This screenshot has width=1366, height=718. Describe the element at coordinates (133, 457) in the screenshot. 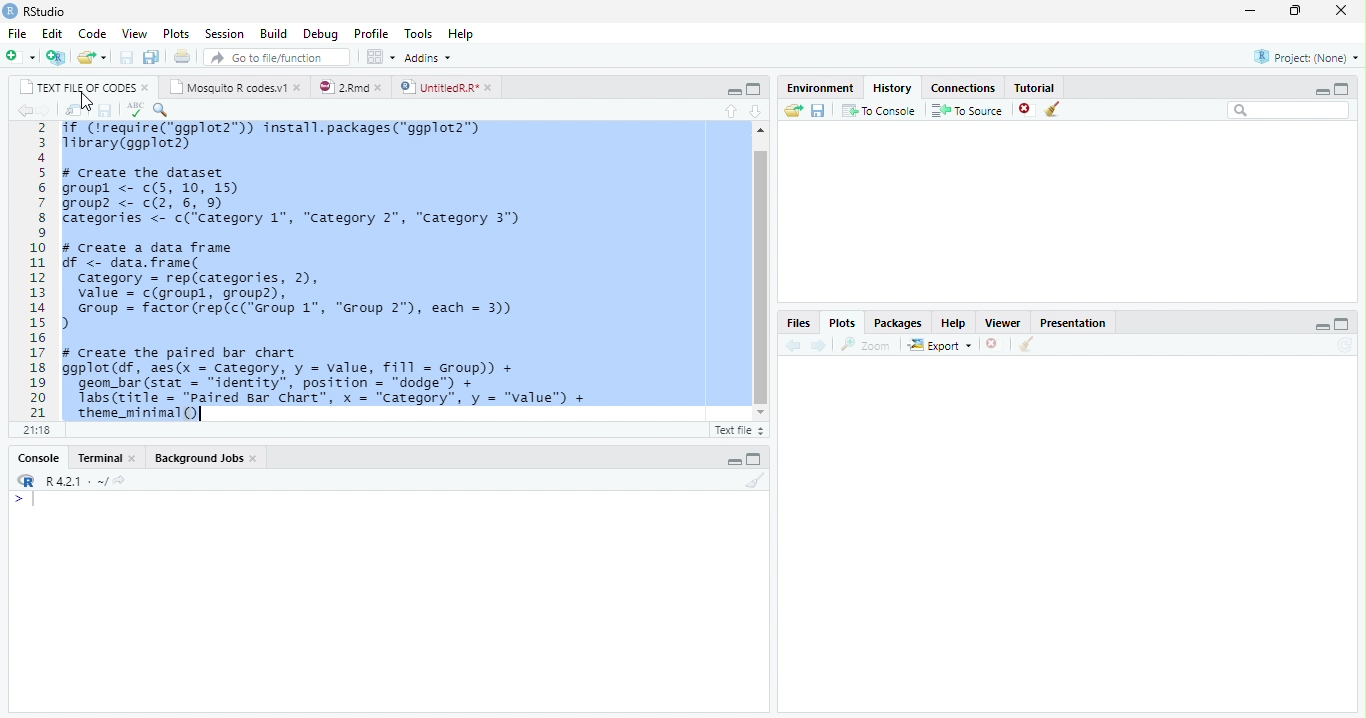

I see `close` at that location.